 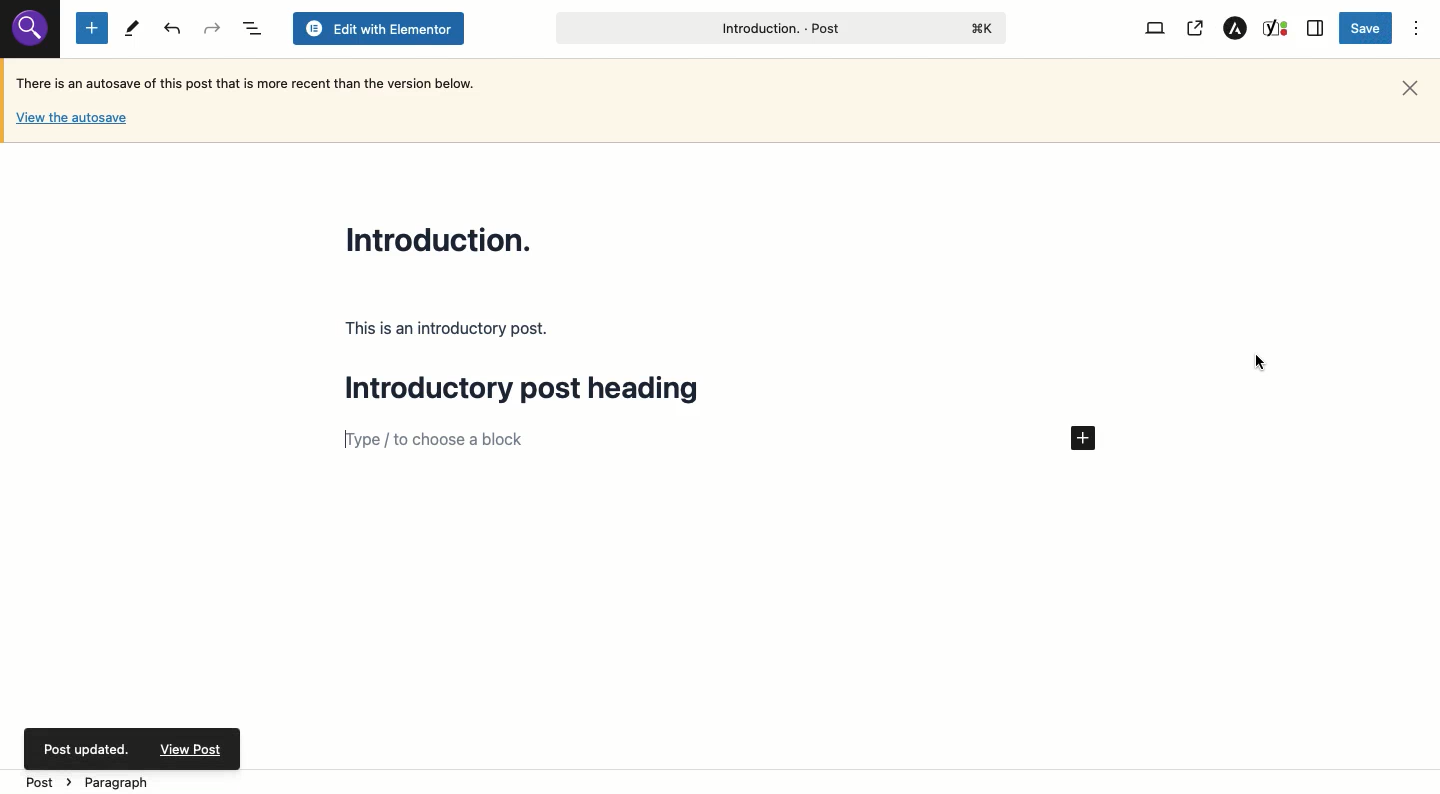 What do you see at coordinates (778, 28) in the screenshot?
I see `Post` at bounding box center [778, 28].